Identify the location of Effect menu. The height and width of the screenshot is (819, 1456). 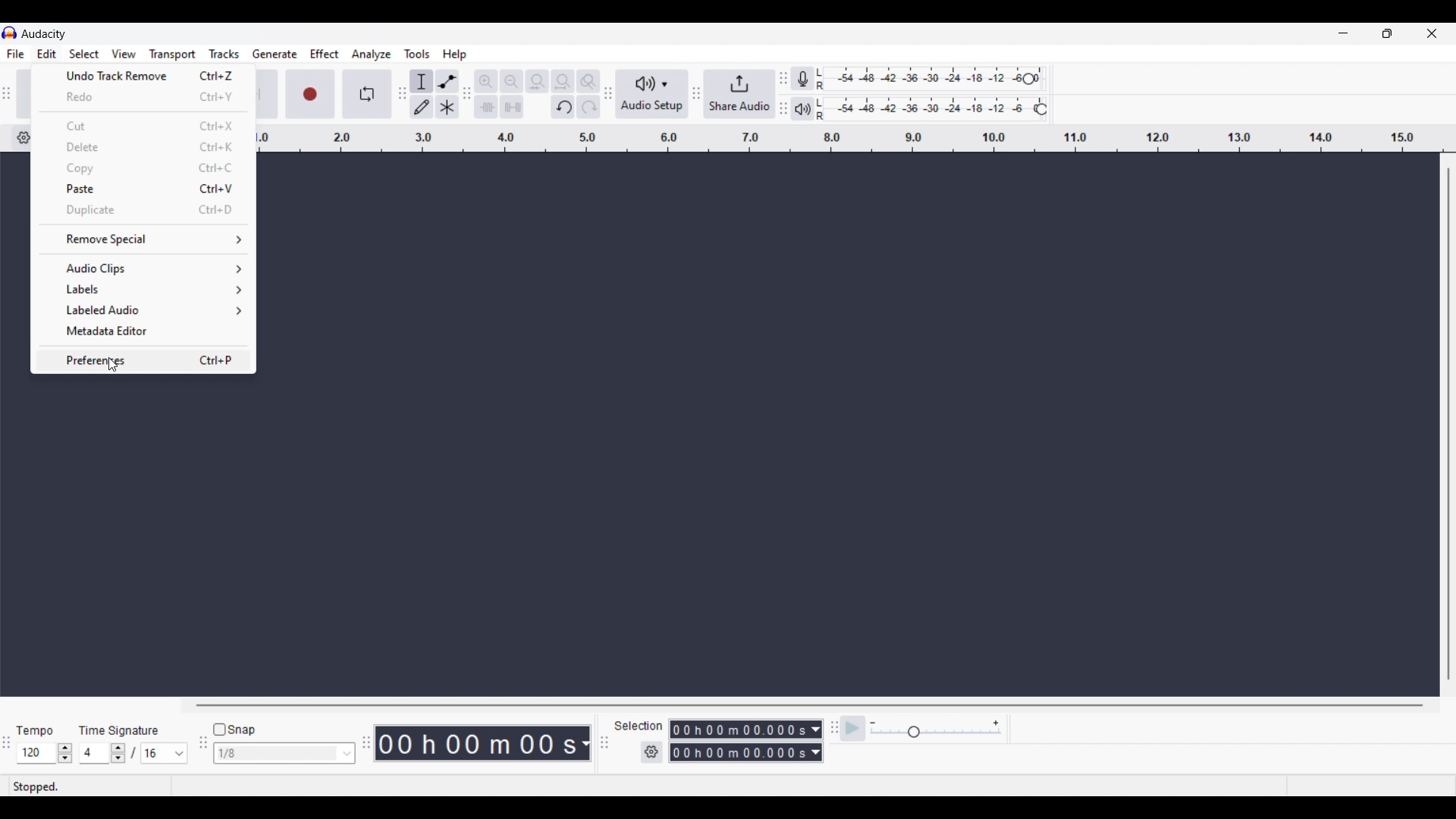
(325, 54).